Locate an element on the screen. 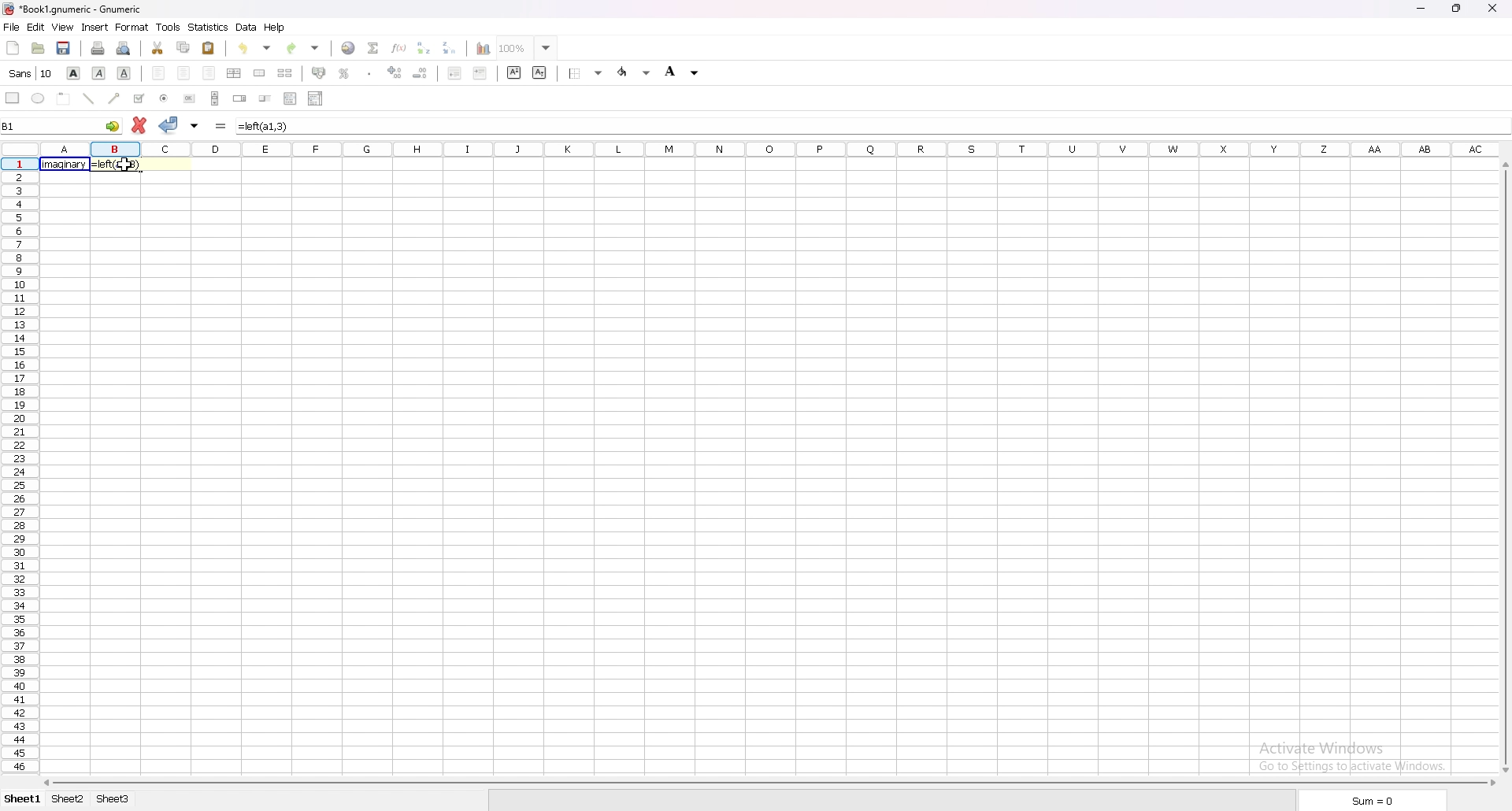 This screenshot has width=1512, height=811. new is located at coordinates (13, 48).